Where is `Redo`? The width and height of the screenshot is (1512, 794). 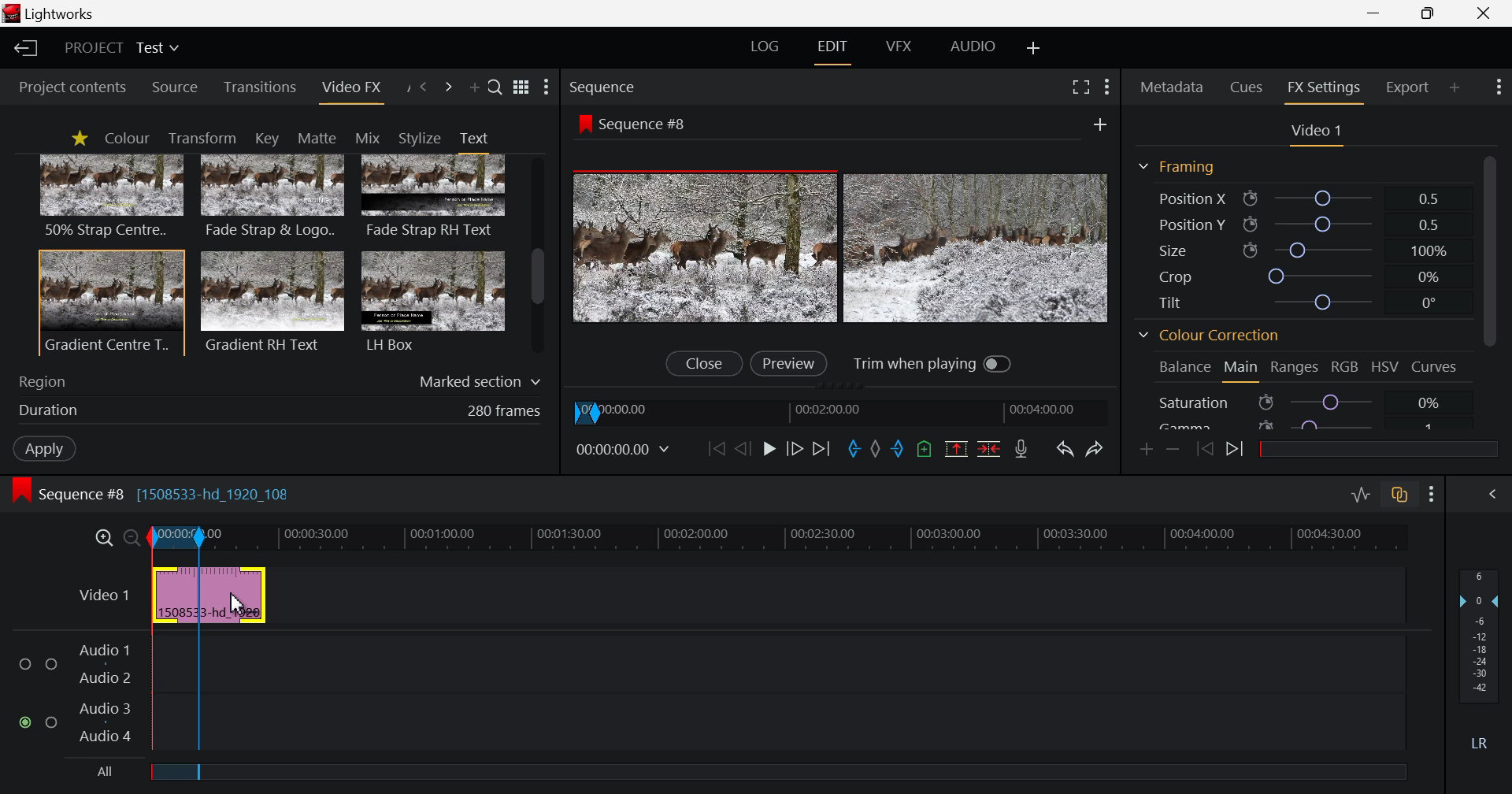 Redo is located at coordinates (1097, 447).